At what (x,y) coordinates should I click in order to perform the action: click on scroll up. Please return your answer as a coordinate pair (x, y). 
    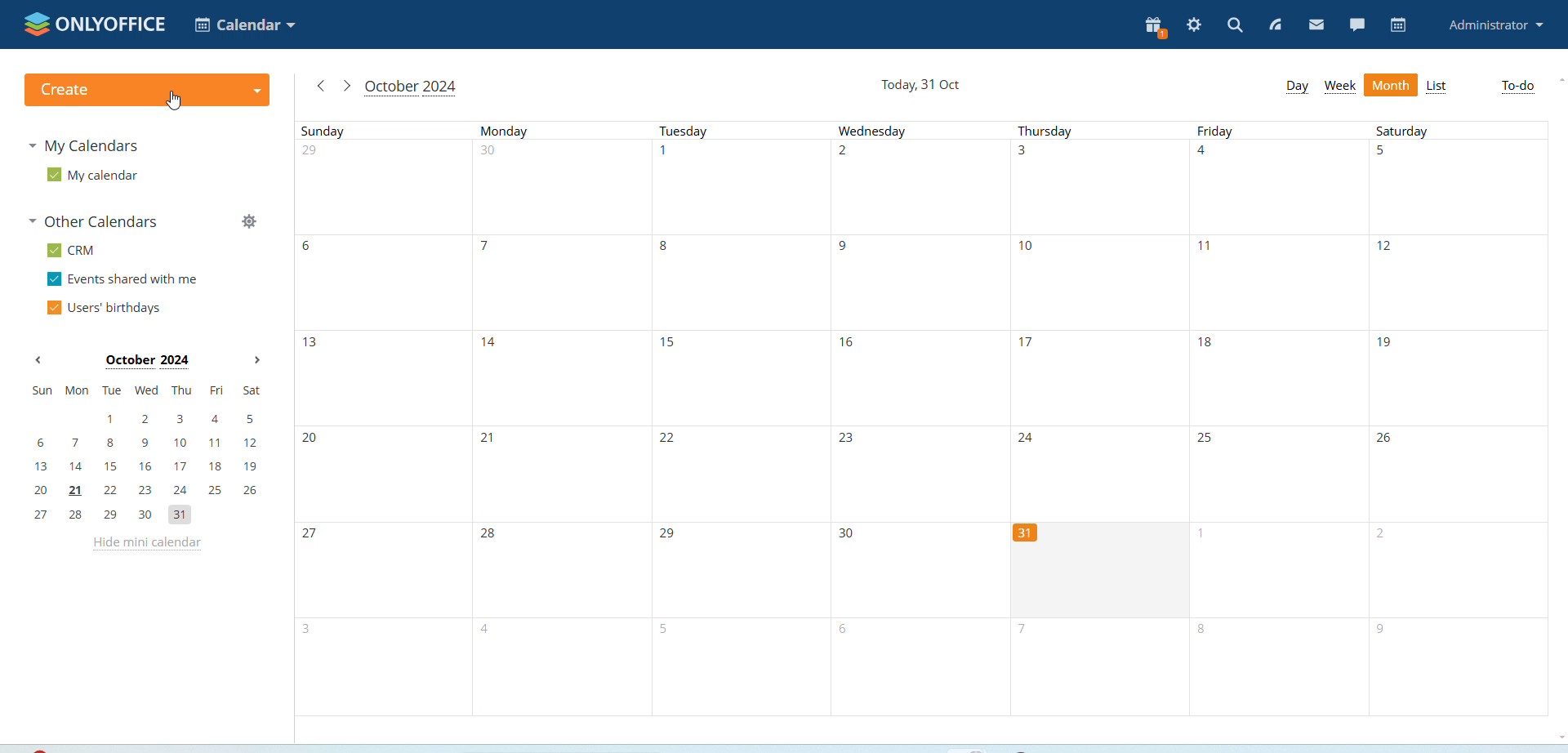
    Looking at the image, I should click on (1561, 79).